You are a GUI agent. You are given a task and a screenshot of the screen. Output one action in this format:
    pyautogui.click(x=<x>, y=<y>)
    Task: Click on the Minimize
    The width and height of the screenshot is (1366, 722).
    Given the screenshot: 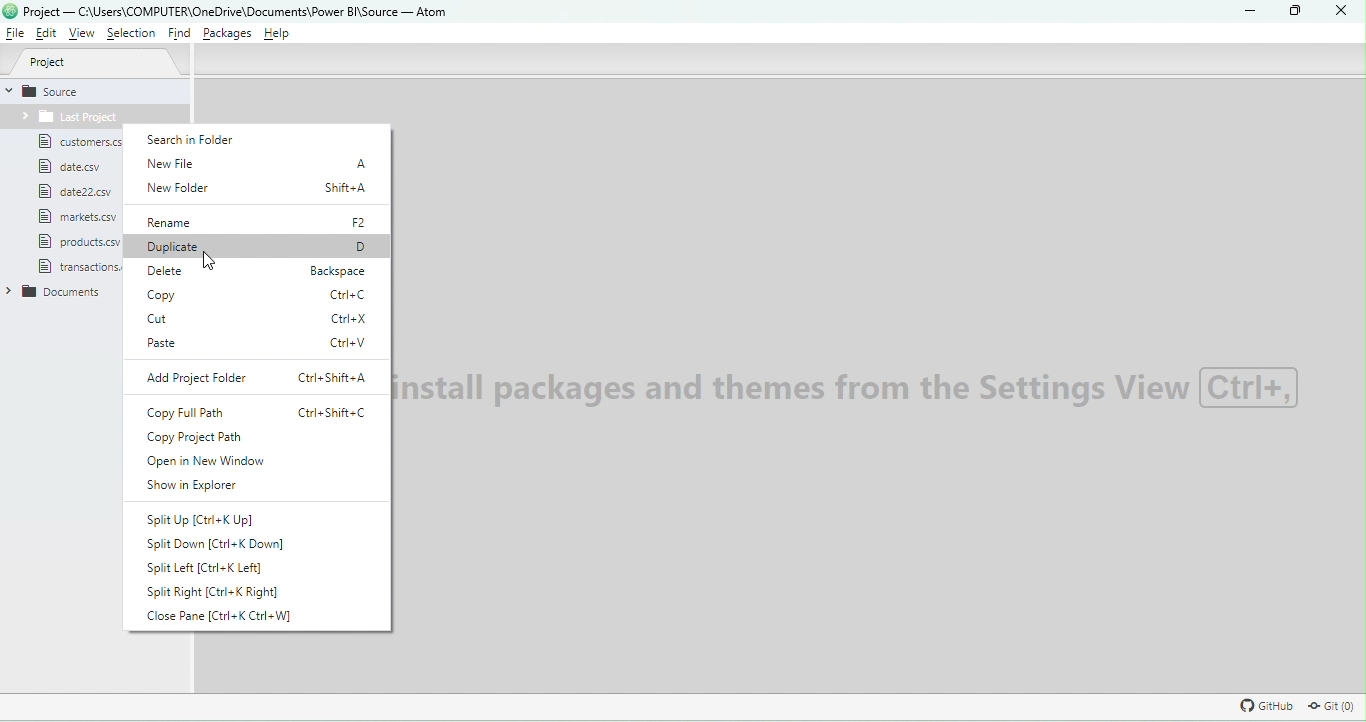 What is the action you would take?
    pyautogui.click(x=1255, y=12)
    